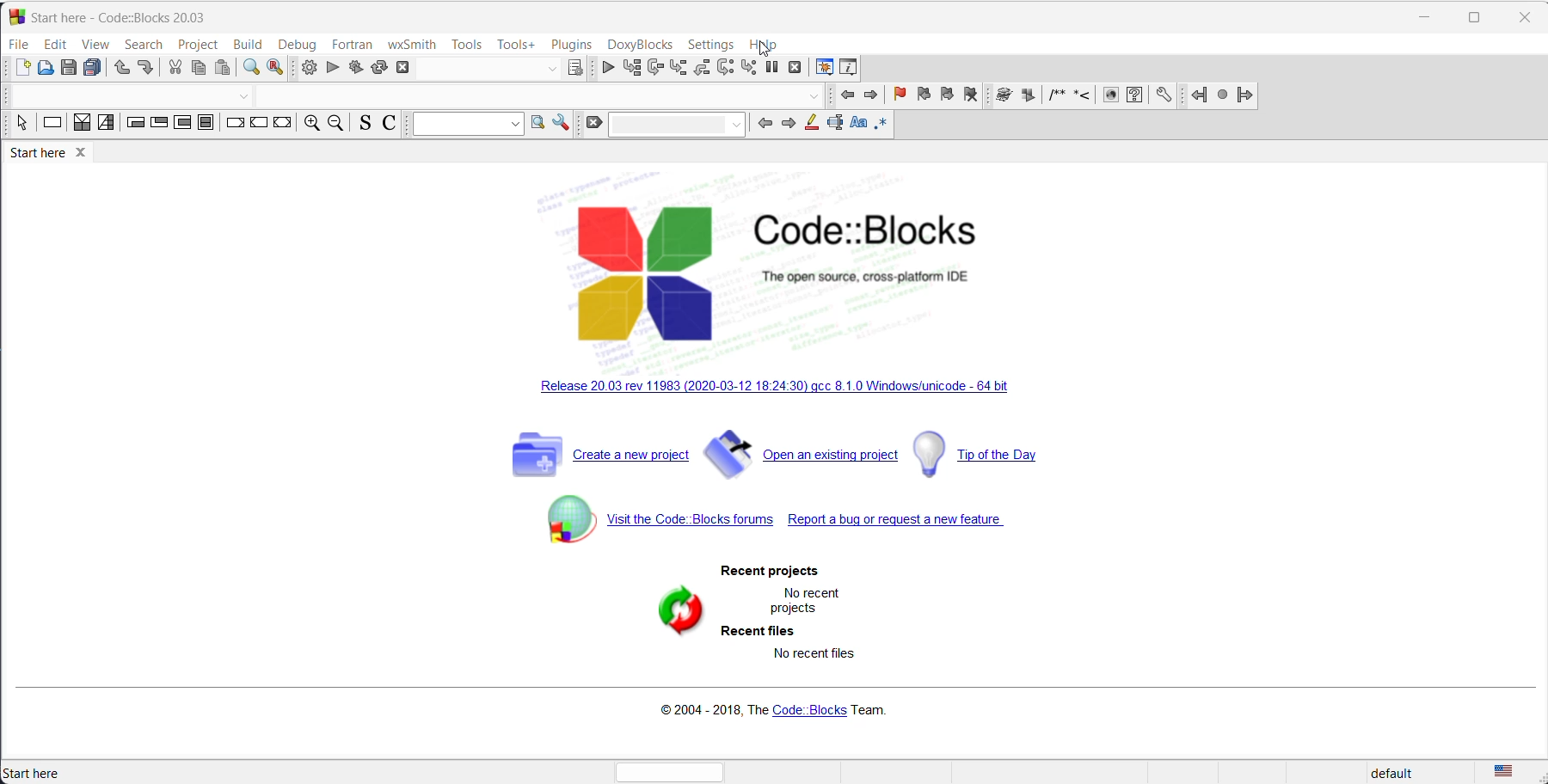  What do you see at coordinates (208, 125) in the screenshot?
I see `block instruction` at bounding box center [208, 125].